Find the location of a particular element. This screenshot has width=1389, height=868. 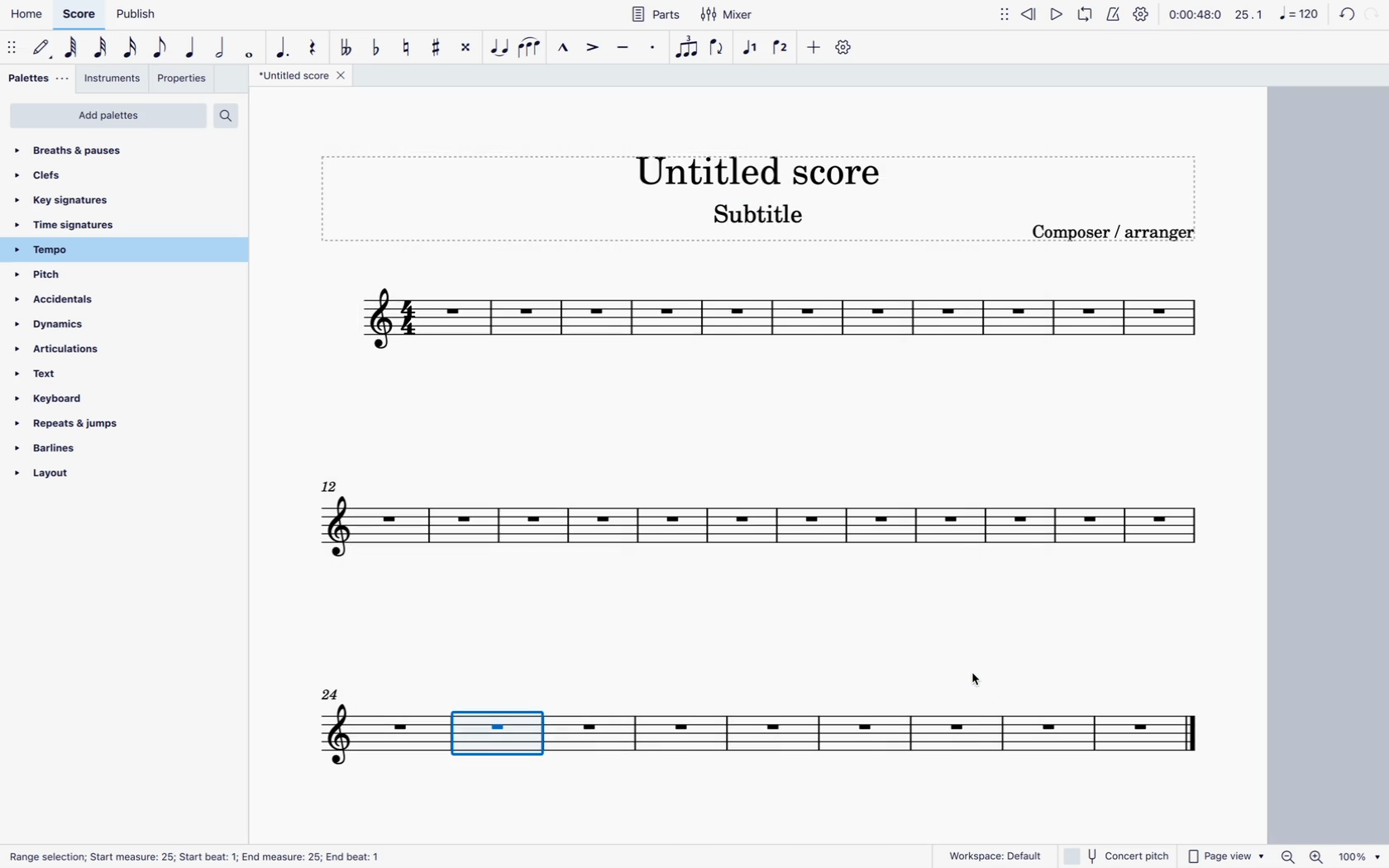

search is located at coordinates (231, 117).